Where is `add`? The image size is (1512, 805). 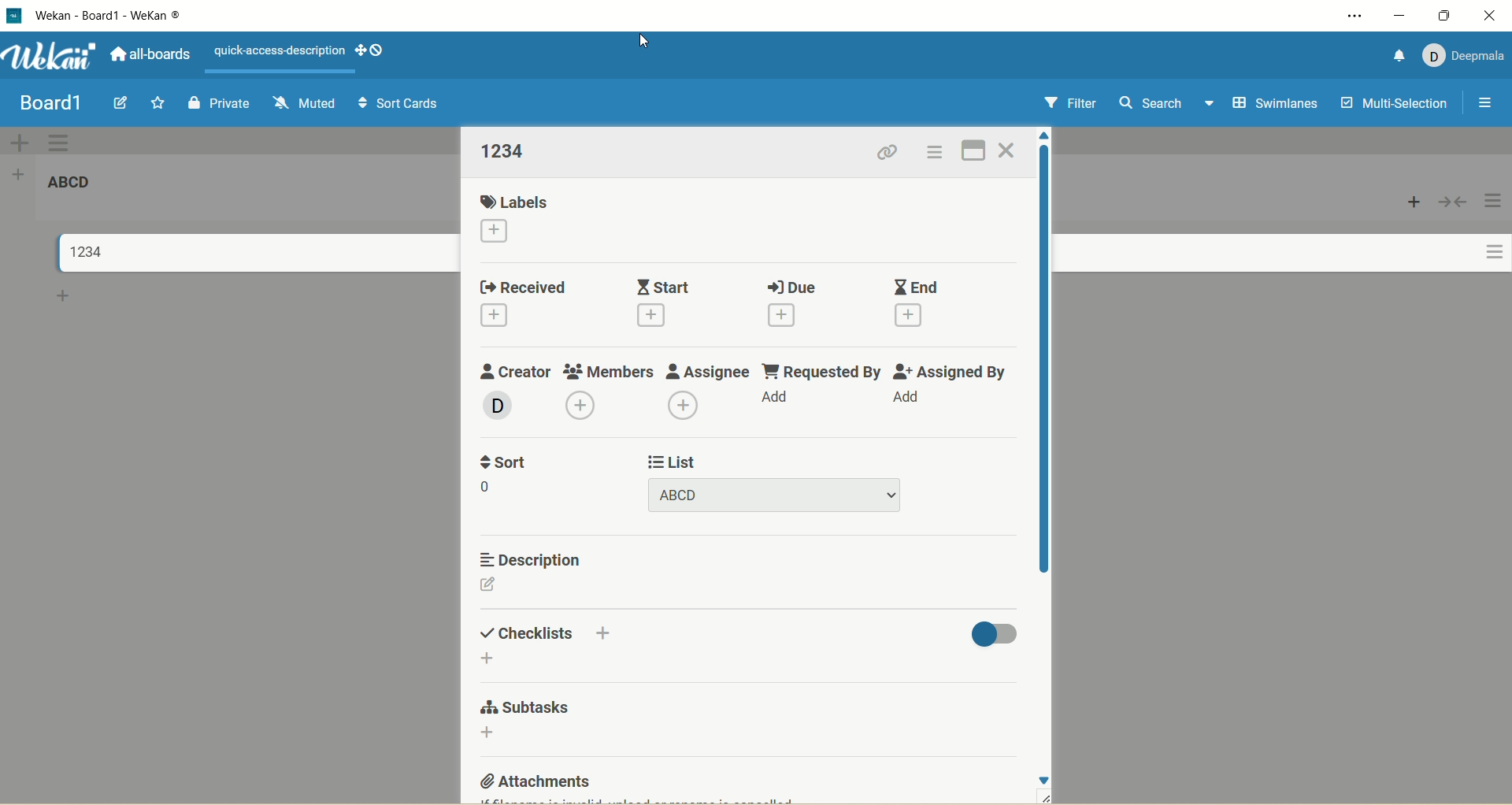
add is located at coordinates (491, 659).